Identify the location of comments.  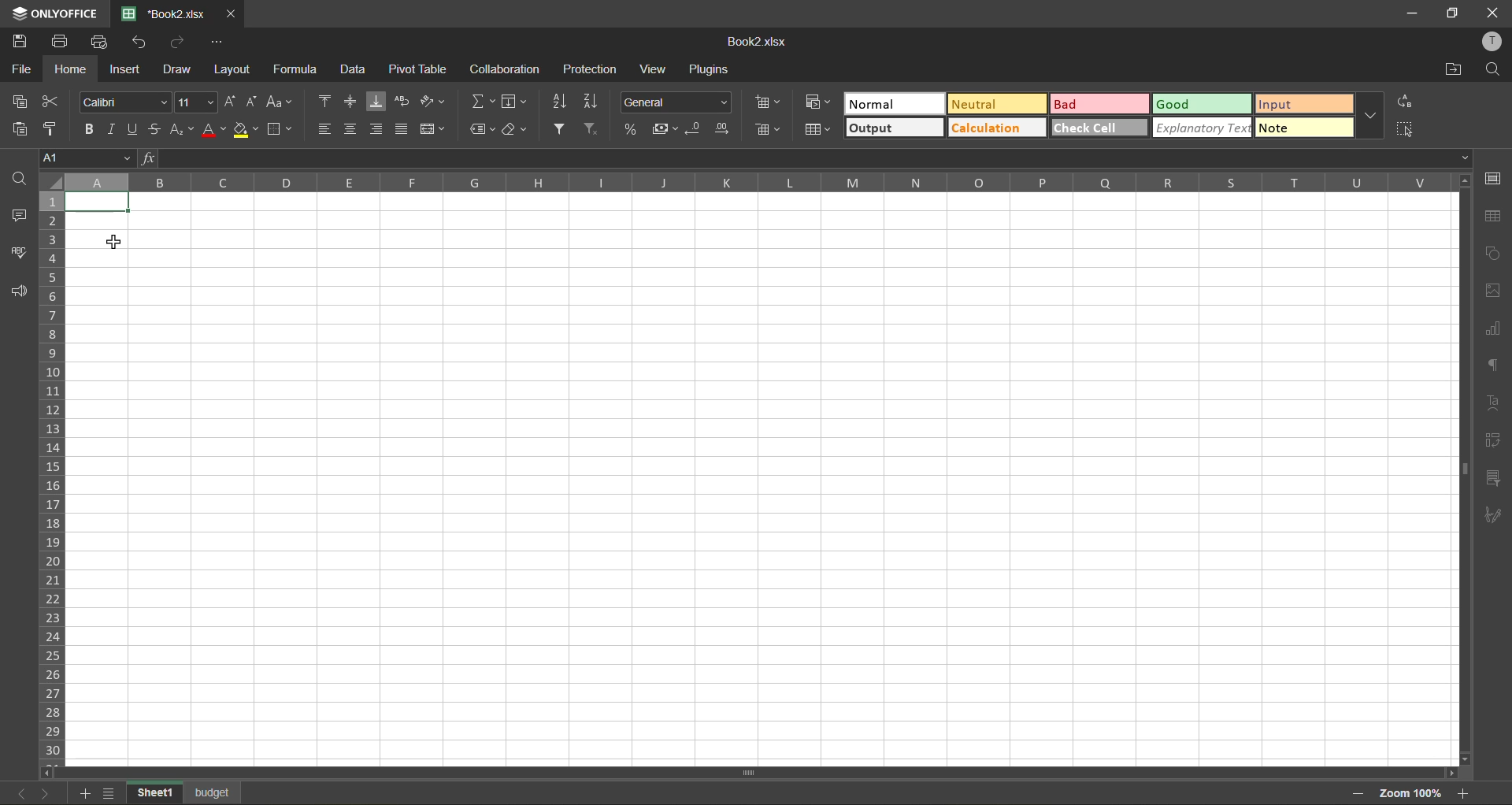
(17, 218).